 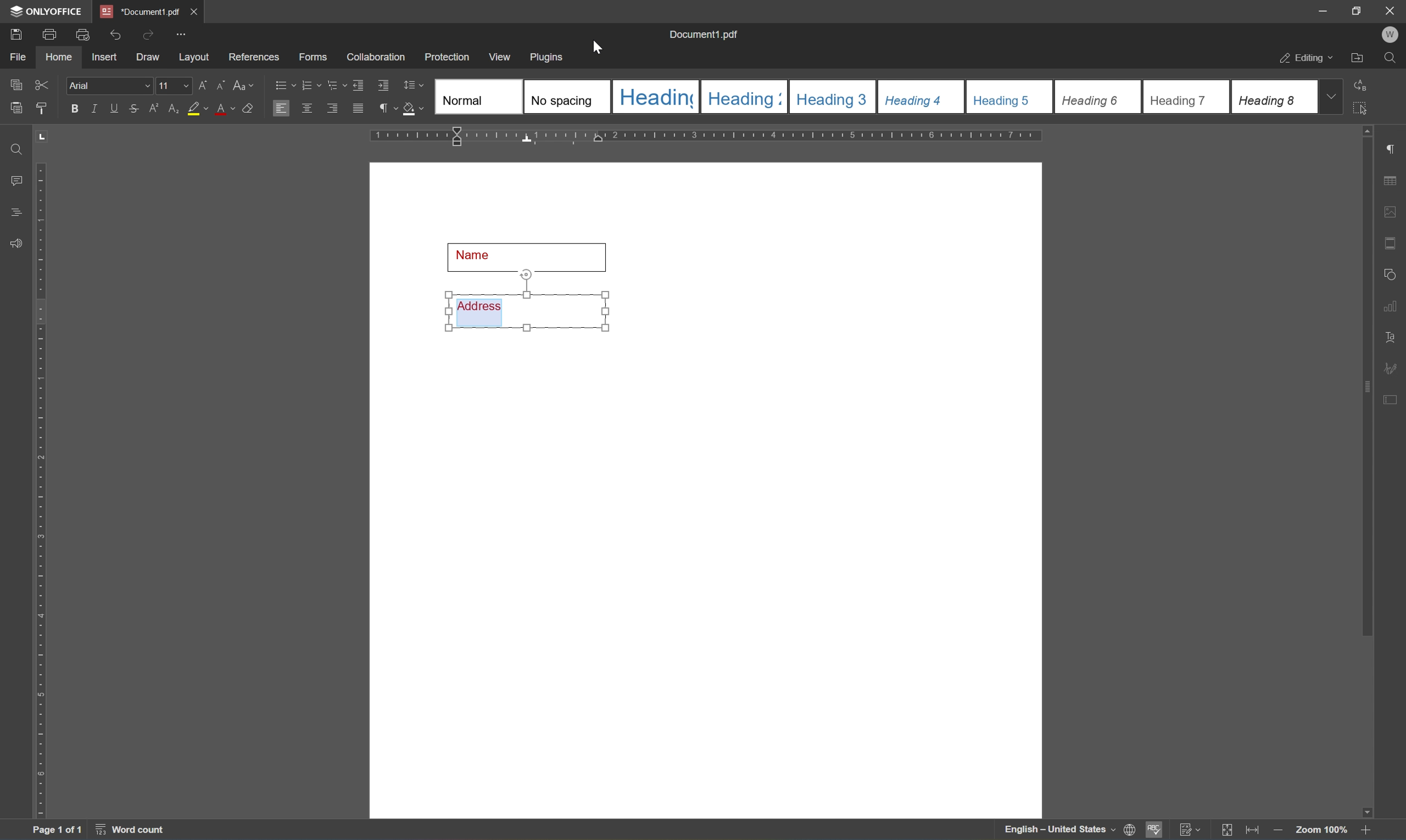 What do you see at coordinates (128, 831) in the screenshot?
I see `word count` at bounding box center [128, 831].